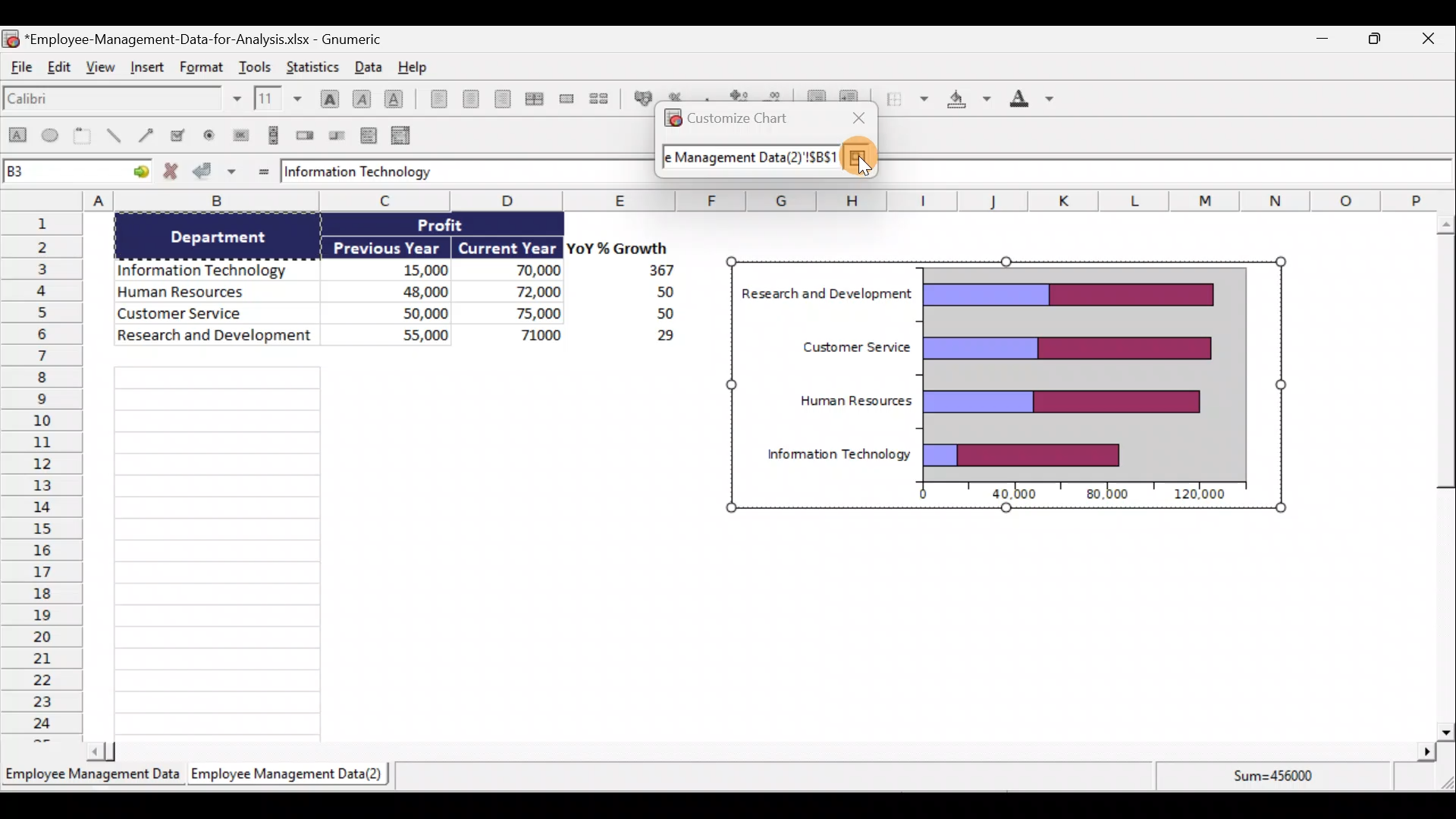 This screenshot has height=819, width=1456. Describe the element at coordinates (271, 135) in the screenshot. I see `Create a scrollbar` at that location.